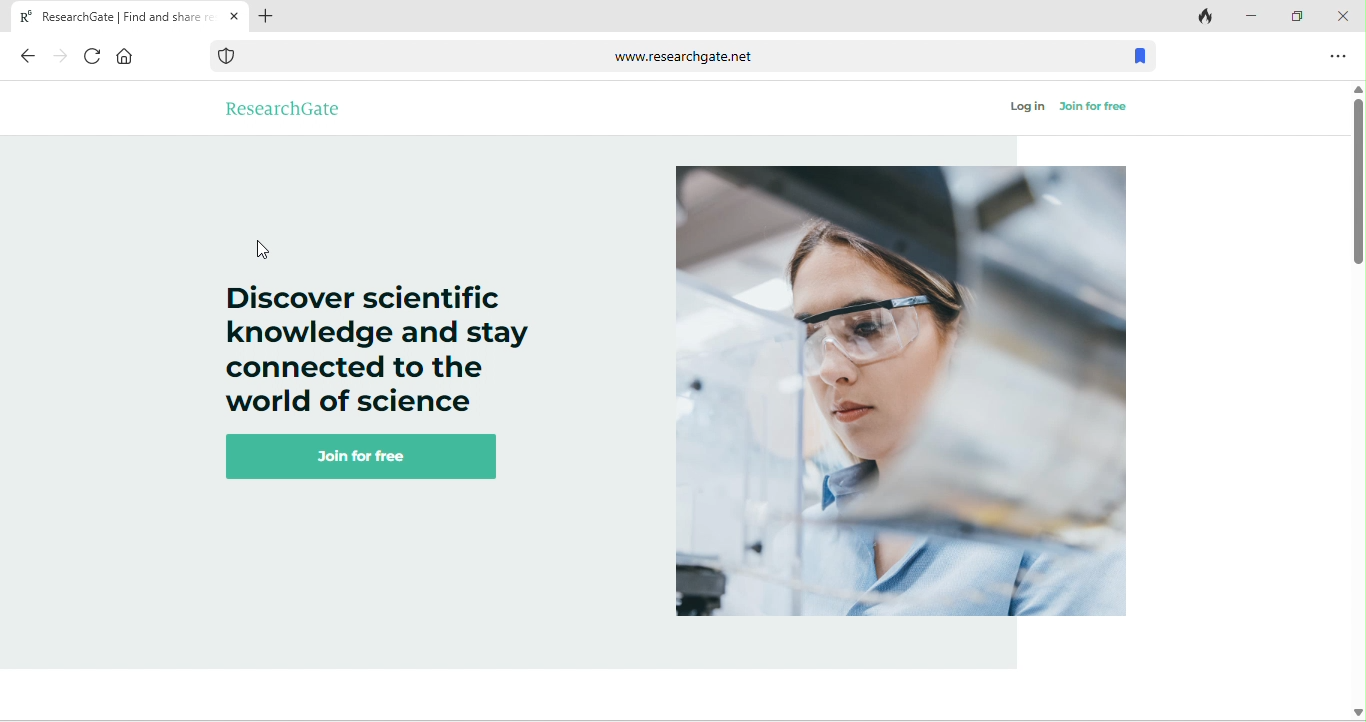 The width and height of the screenshot is (1366, 722). Describe the element at coordinates (29, 58) in the screenshot. I see `back` at that location.